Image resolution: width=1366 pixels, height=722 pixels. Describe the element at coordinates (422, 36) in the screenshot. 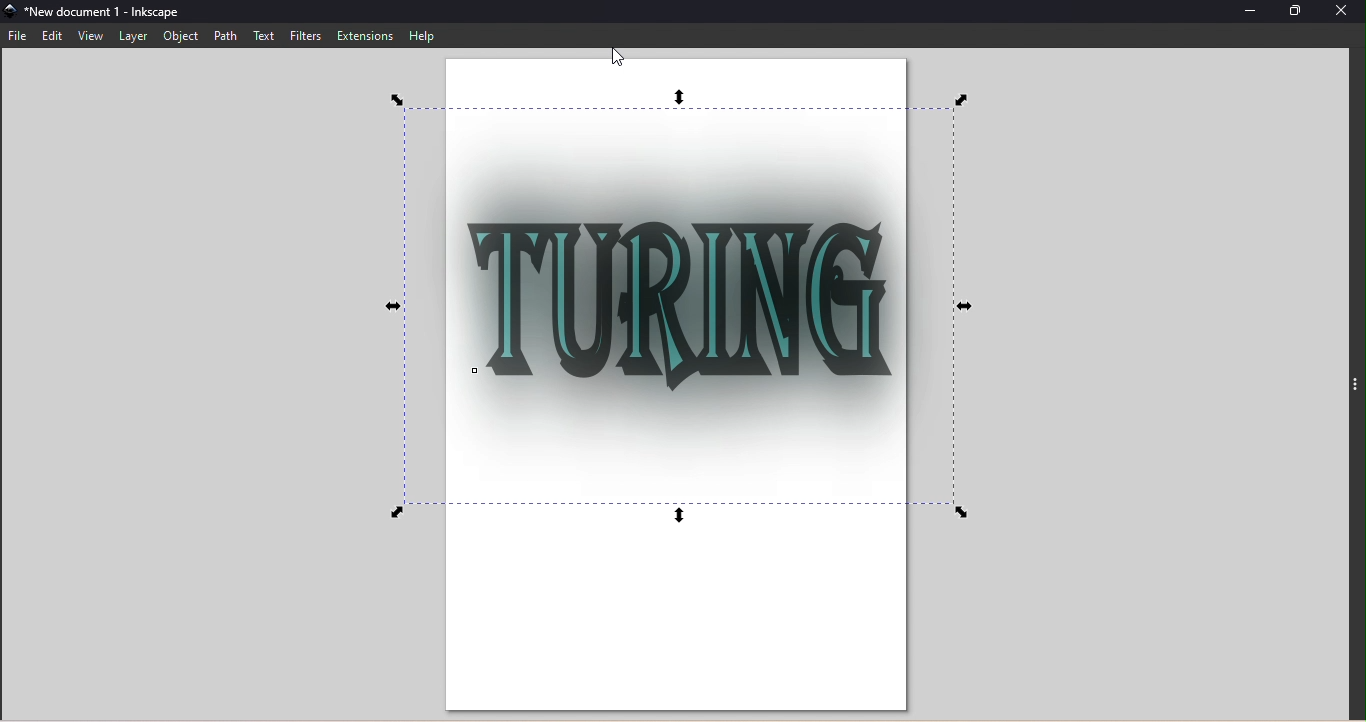

I see `Help` at that location.